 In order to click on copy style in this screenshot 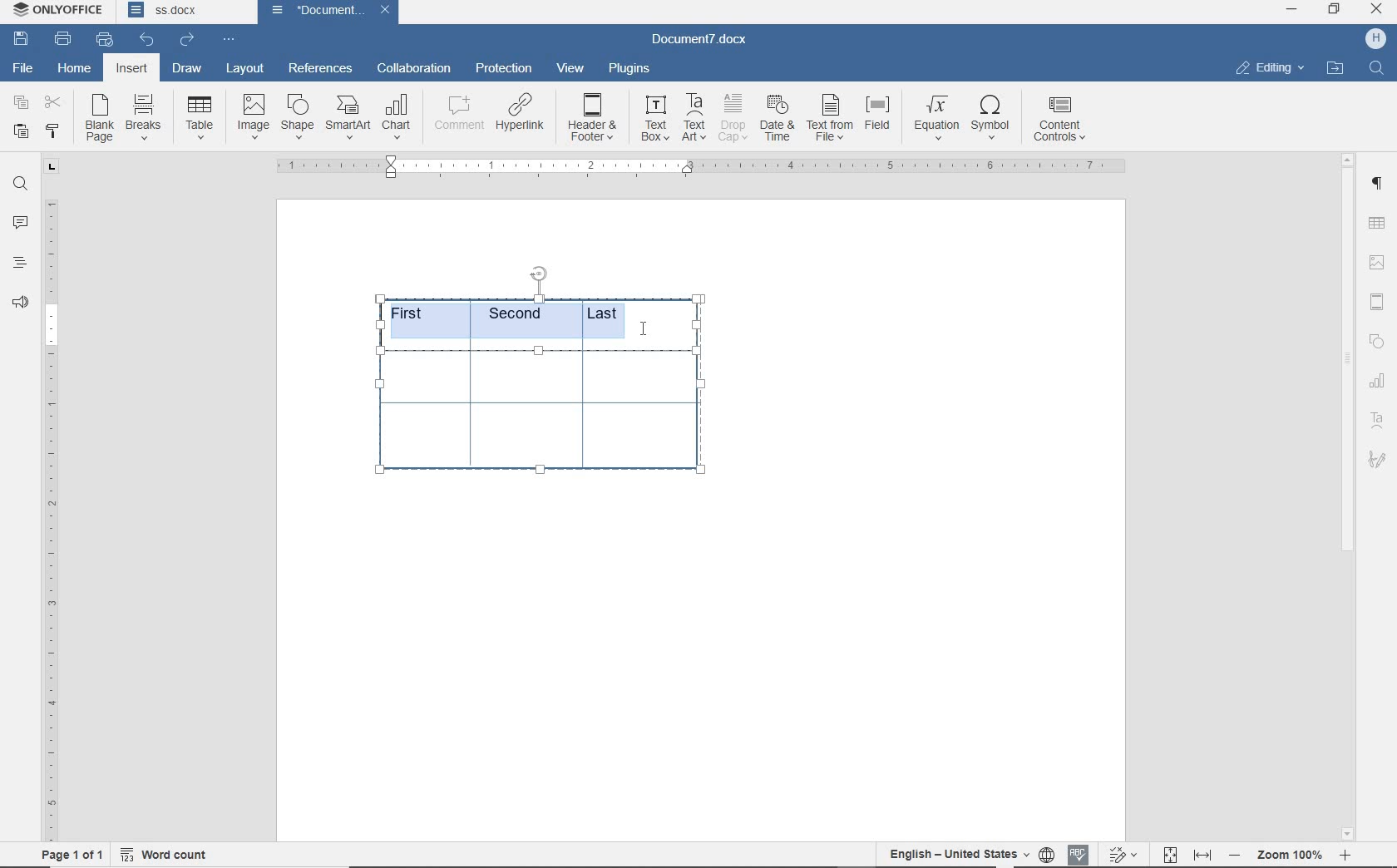, I will do `click(51, 131)`.